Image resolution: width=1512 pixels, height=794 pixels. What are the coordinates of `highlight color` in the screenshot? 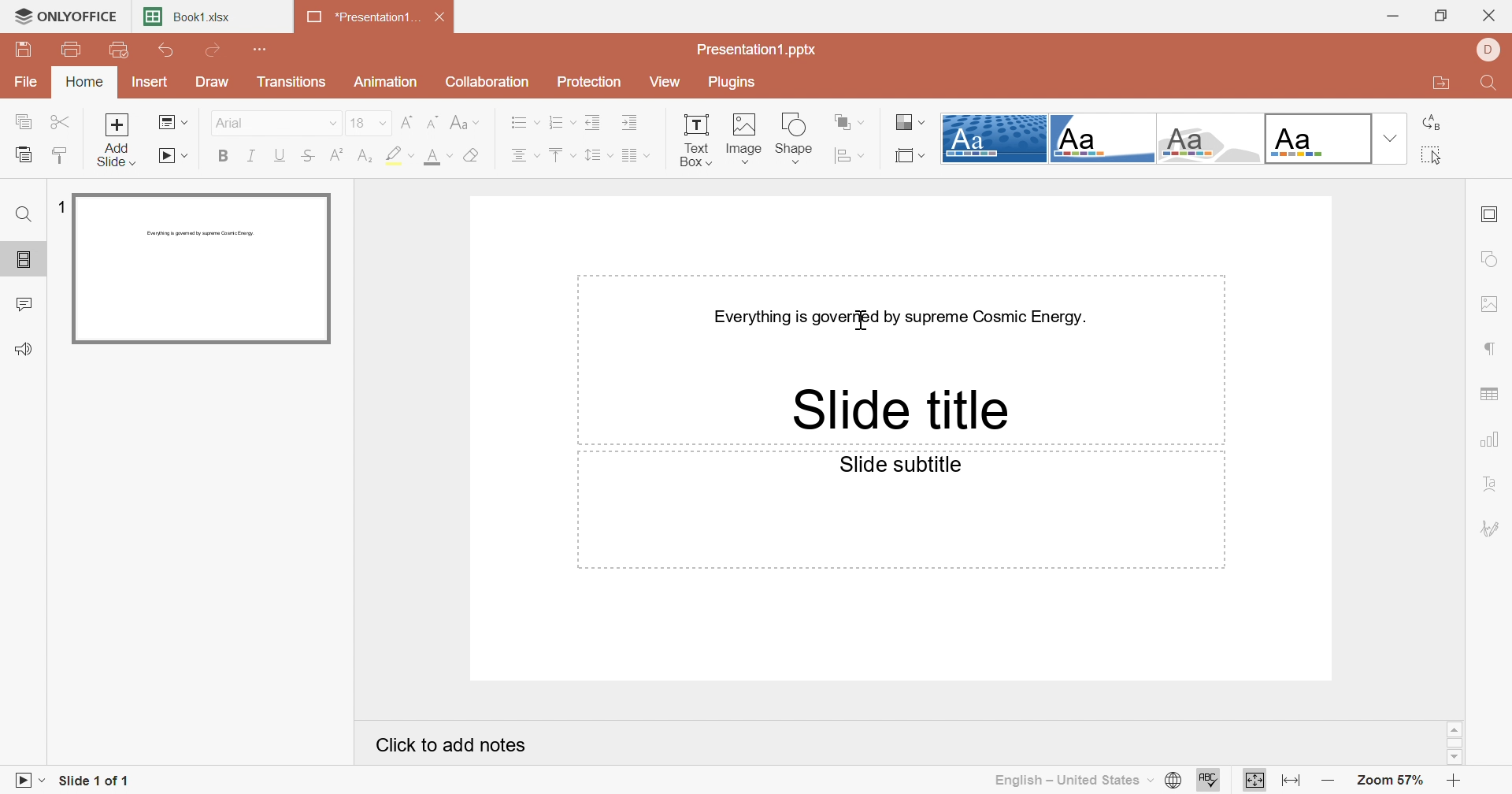 It's located at (402, 155).